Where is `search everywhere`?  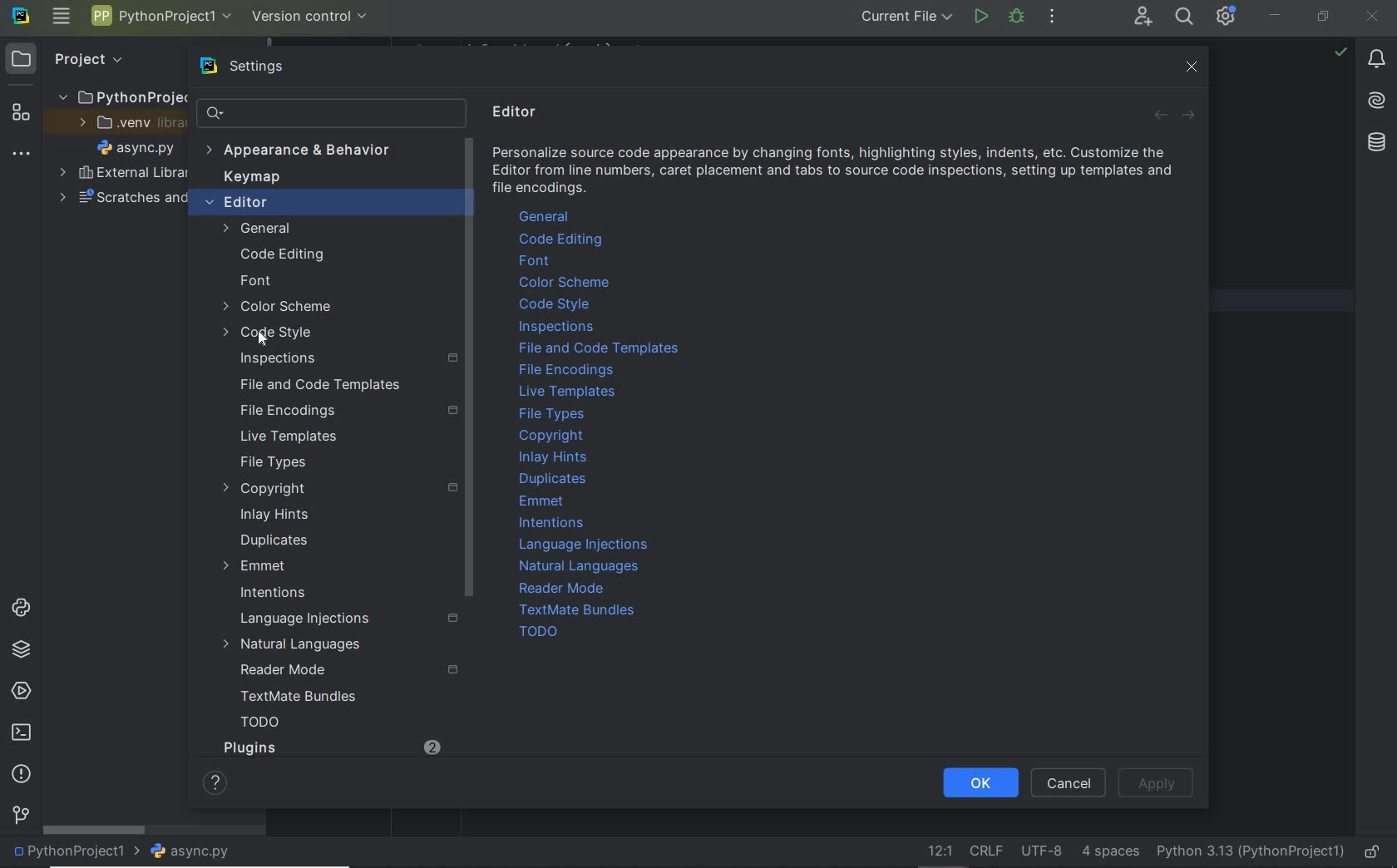
search everywhere is located at coordinates (1186, 18).